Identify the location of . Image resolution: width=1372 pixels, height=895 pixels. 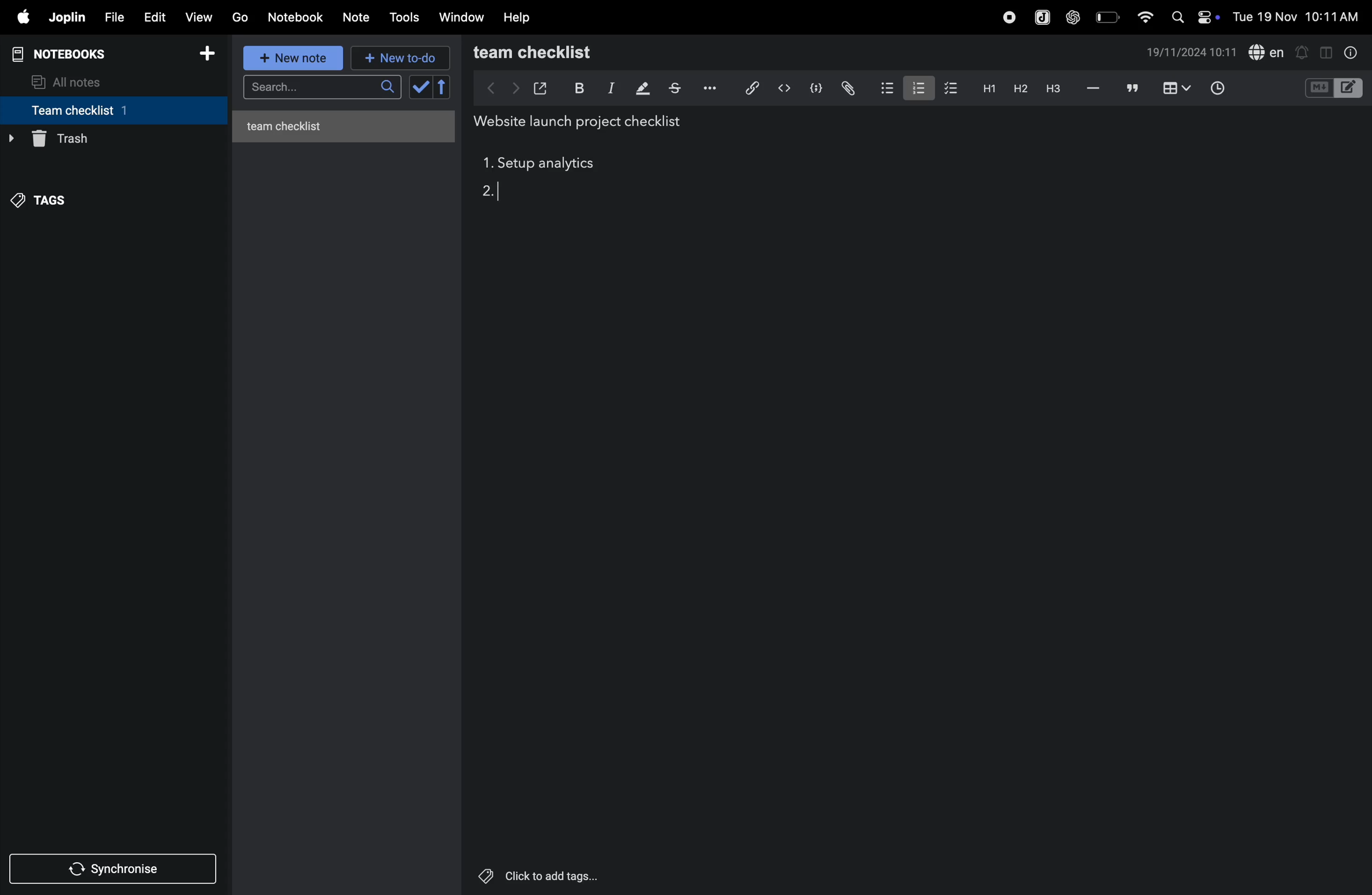
(1301, 51).